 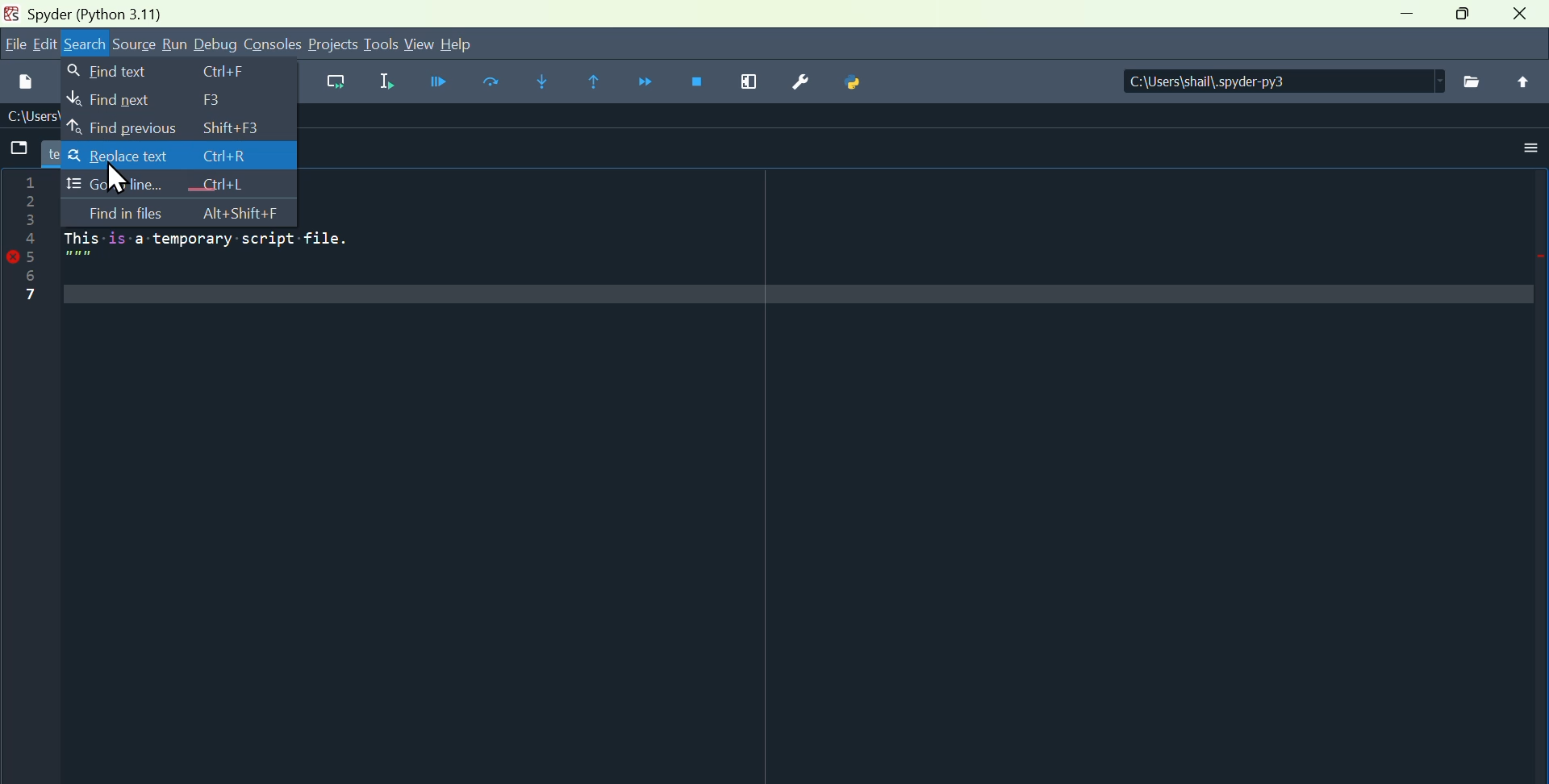 I want to click on file, so click(x=15, y=45).